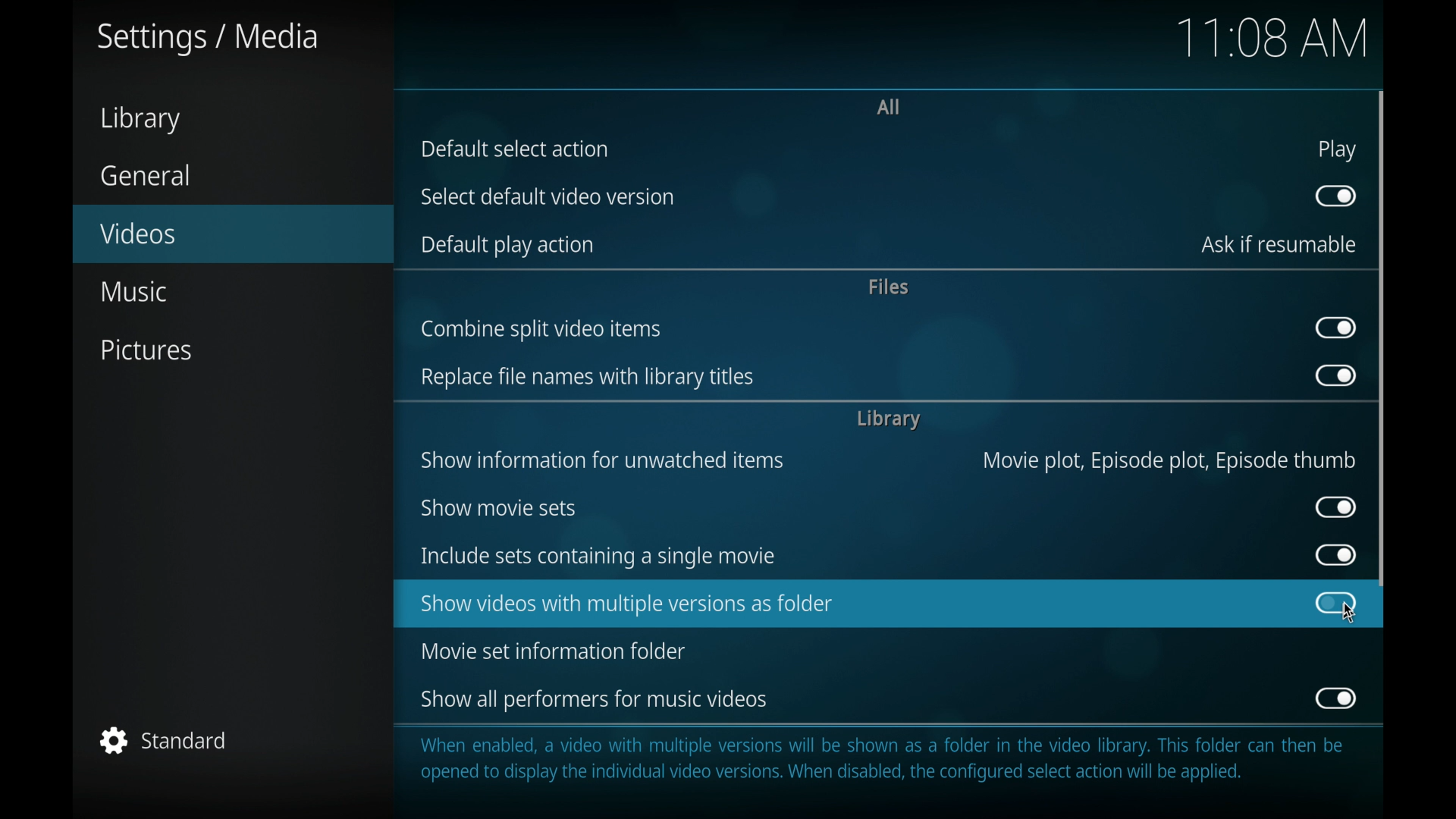 The height and width of the screenshot is (819, 1456). What do you see at coordinates (510, 247) in the screenshot?
I see `default play action` at bounding box center [510, 247].